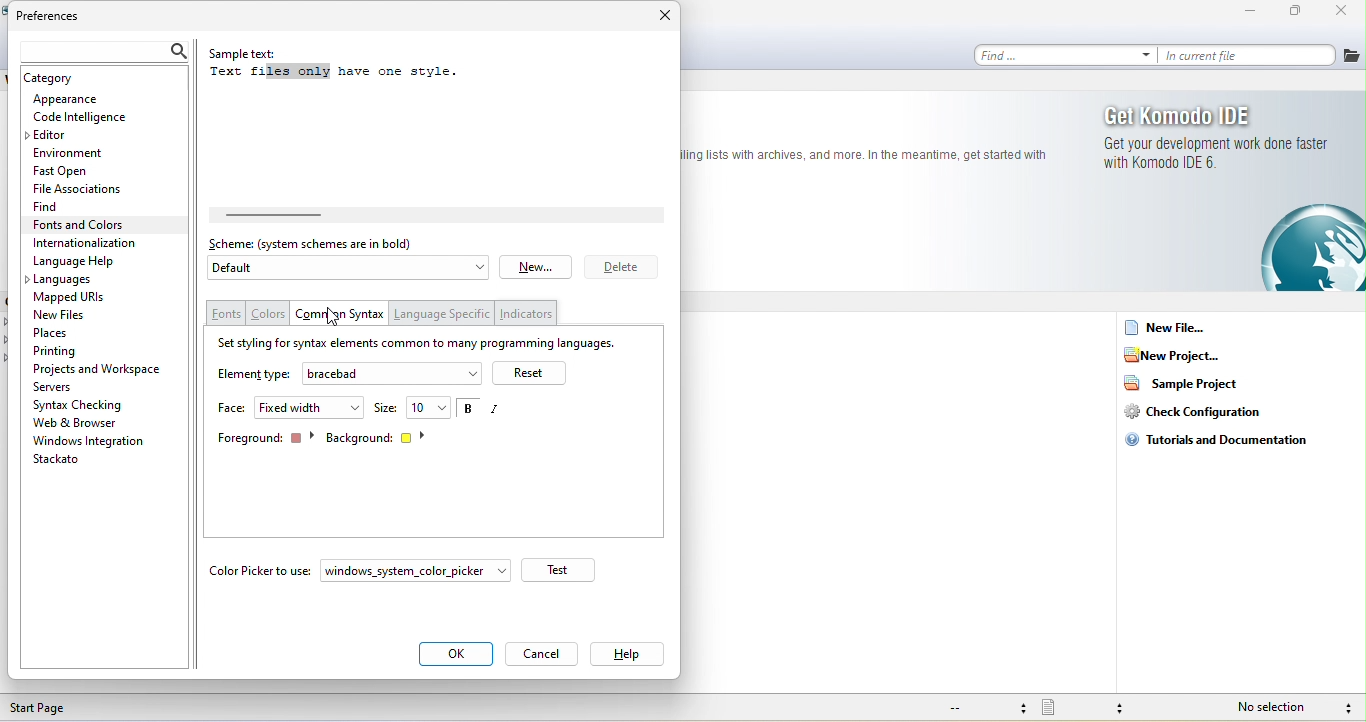  I want to click on check configuration, so click(1202, 414).